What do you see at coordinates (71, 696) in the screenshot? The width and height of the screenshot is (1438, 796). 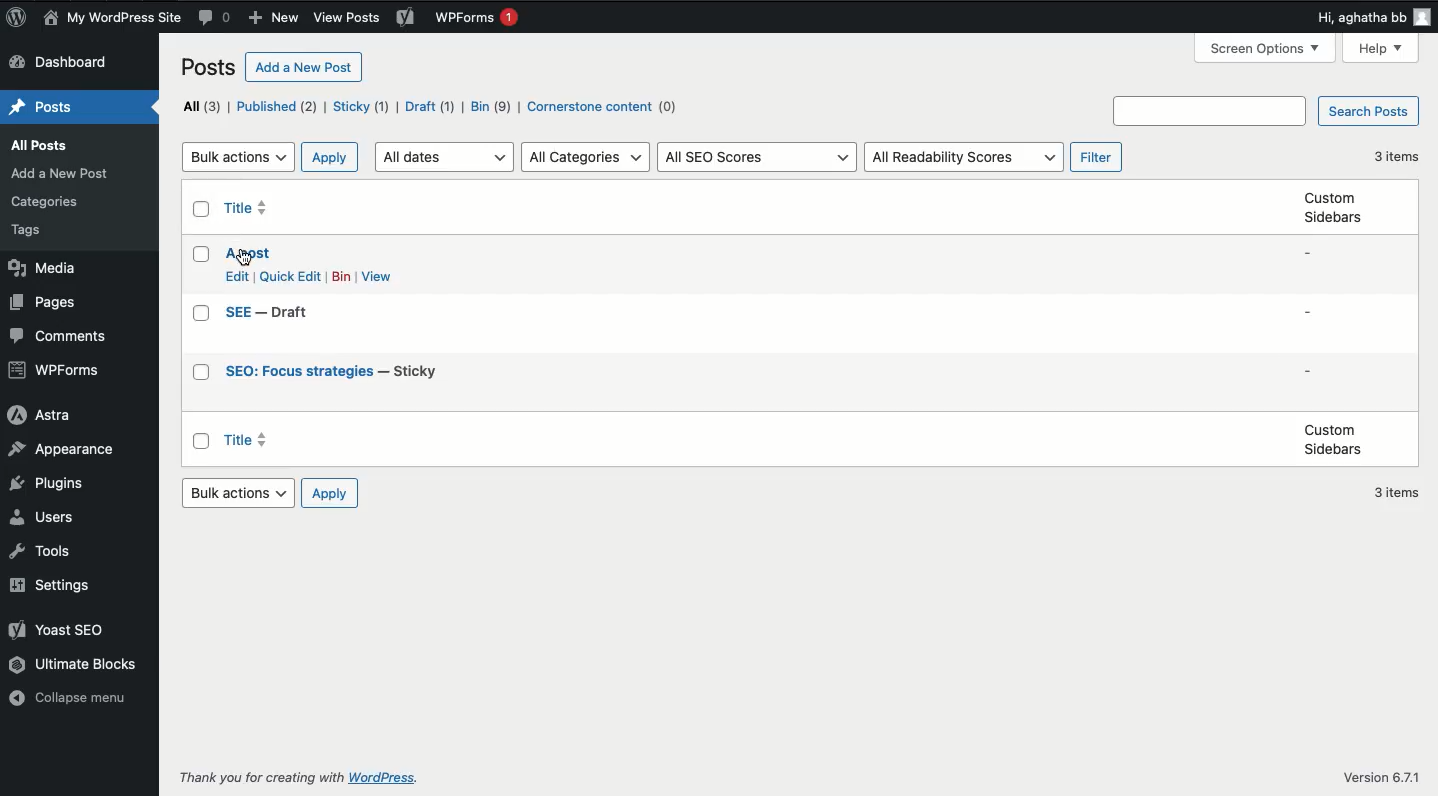 I see `Collapse menu` at bounding box center [71, 696].